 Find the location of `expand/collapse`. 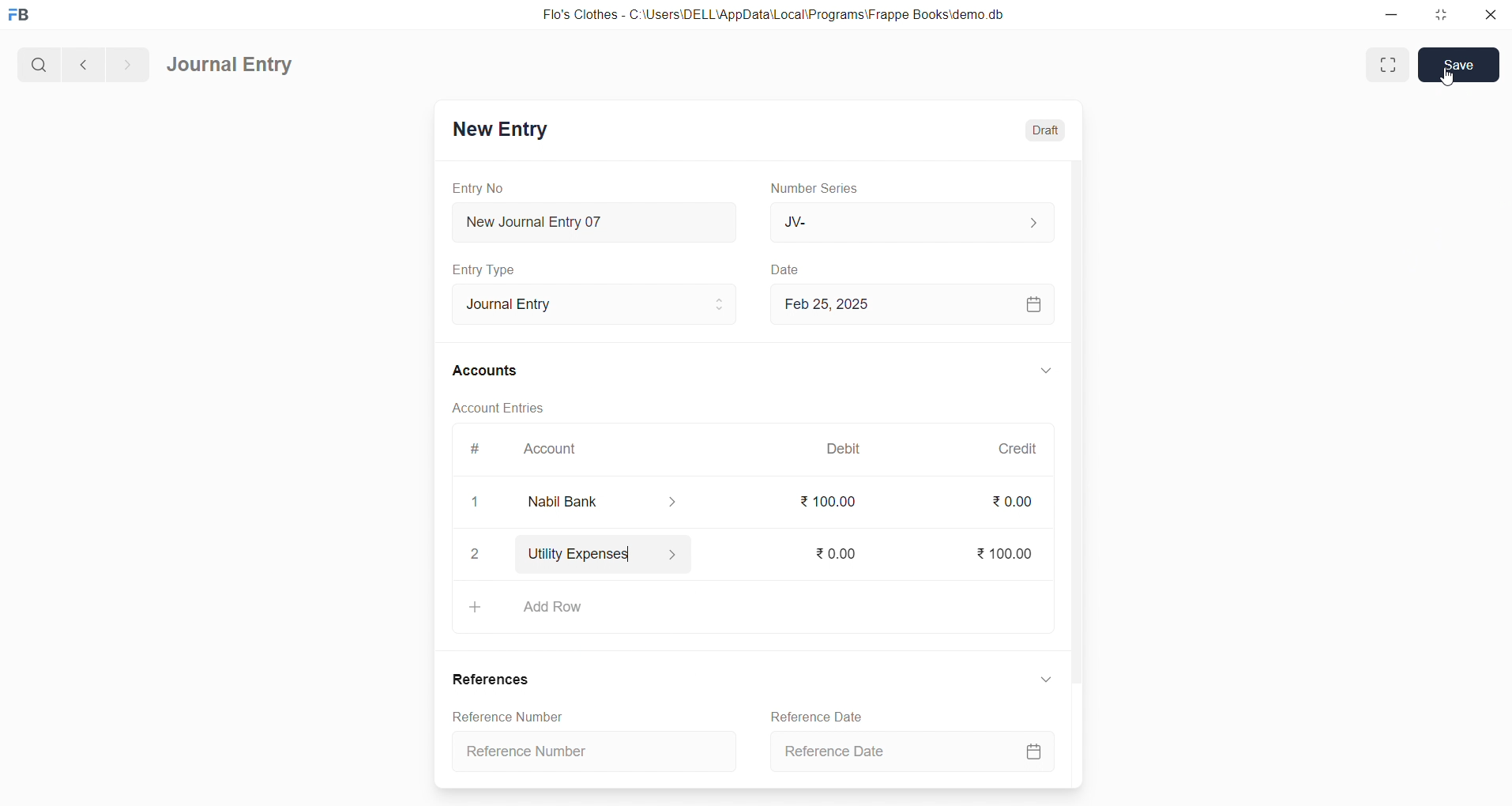

expand/collapse is located at coordinates (1040, 682).